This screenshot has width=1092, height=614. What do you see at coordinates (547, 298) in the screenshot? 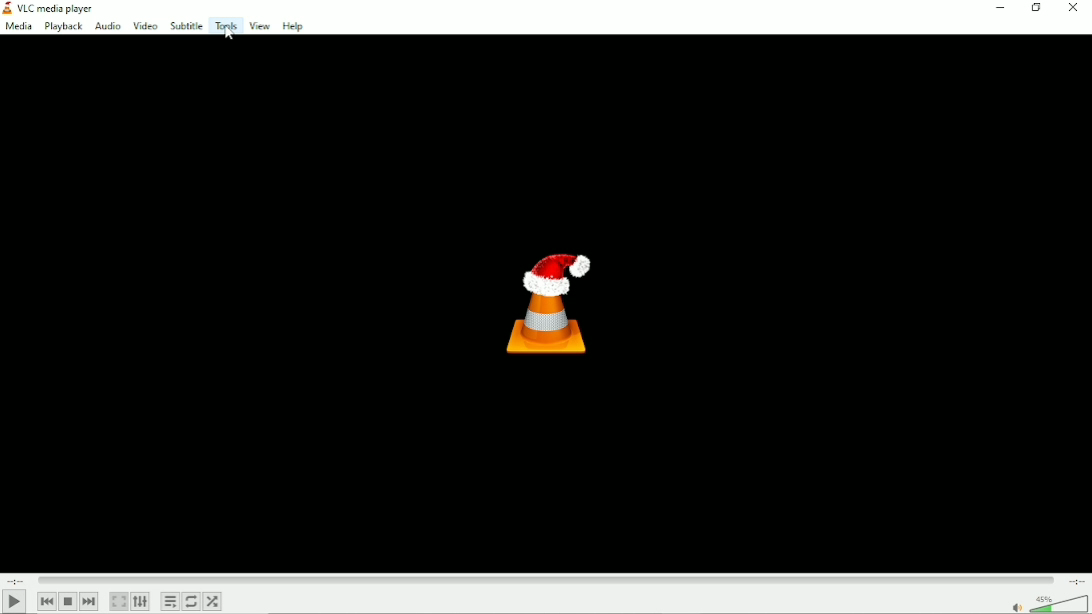
I see `Logo` at bounding box center [547, 298].